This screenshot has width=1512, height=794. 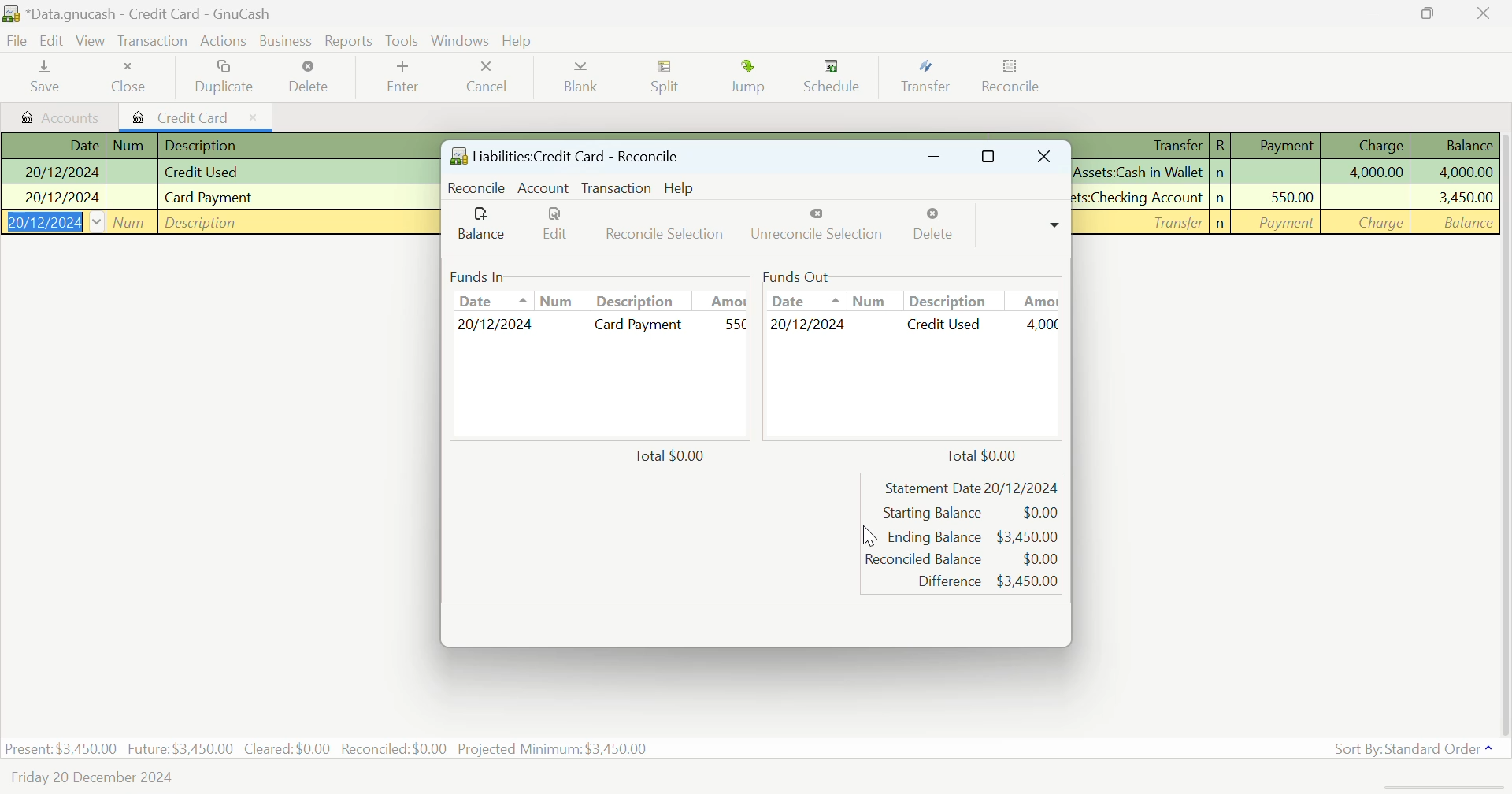 I want to click on Close Window, so click(x=1047, y=158).